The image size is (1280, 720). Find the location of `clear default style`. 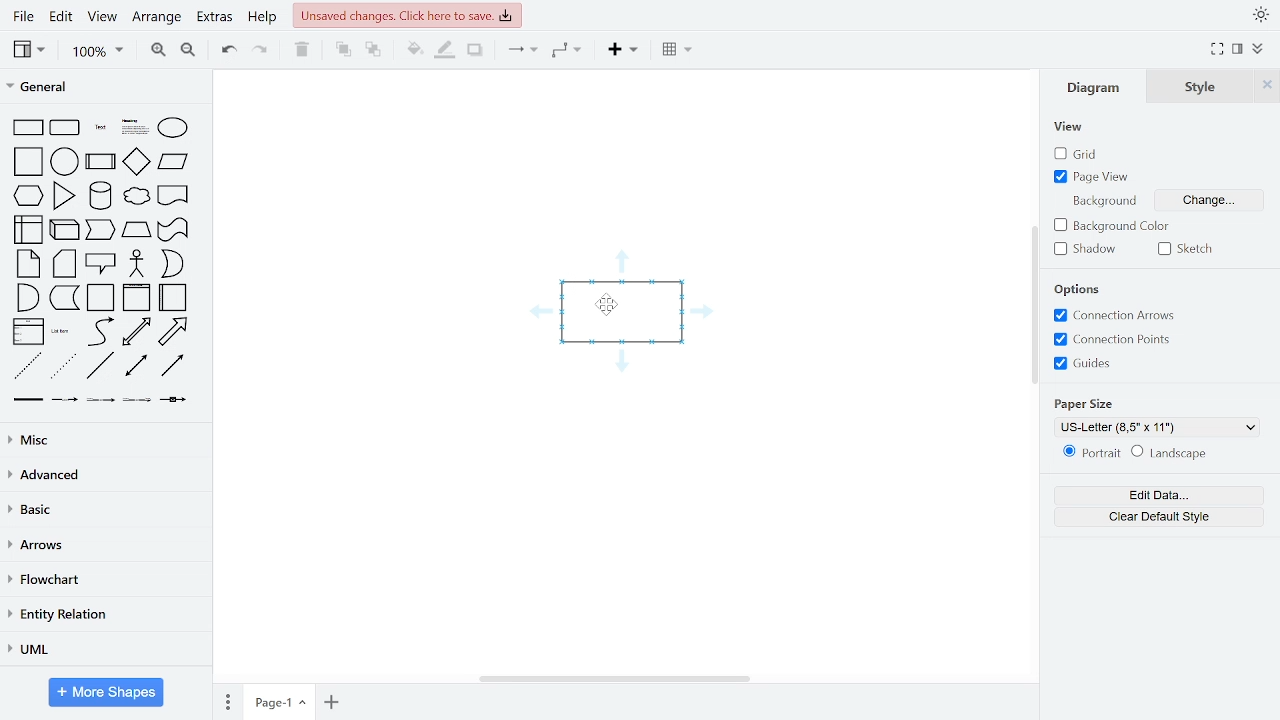

clear default style is located at coordinates (1156, 516).